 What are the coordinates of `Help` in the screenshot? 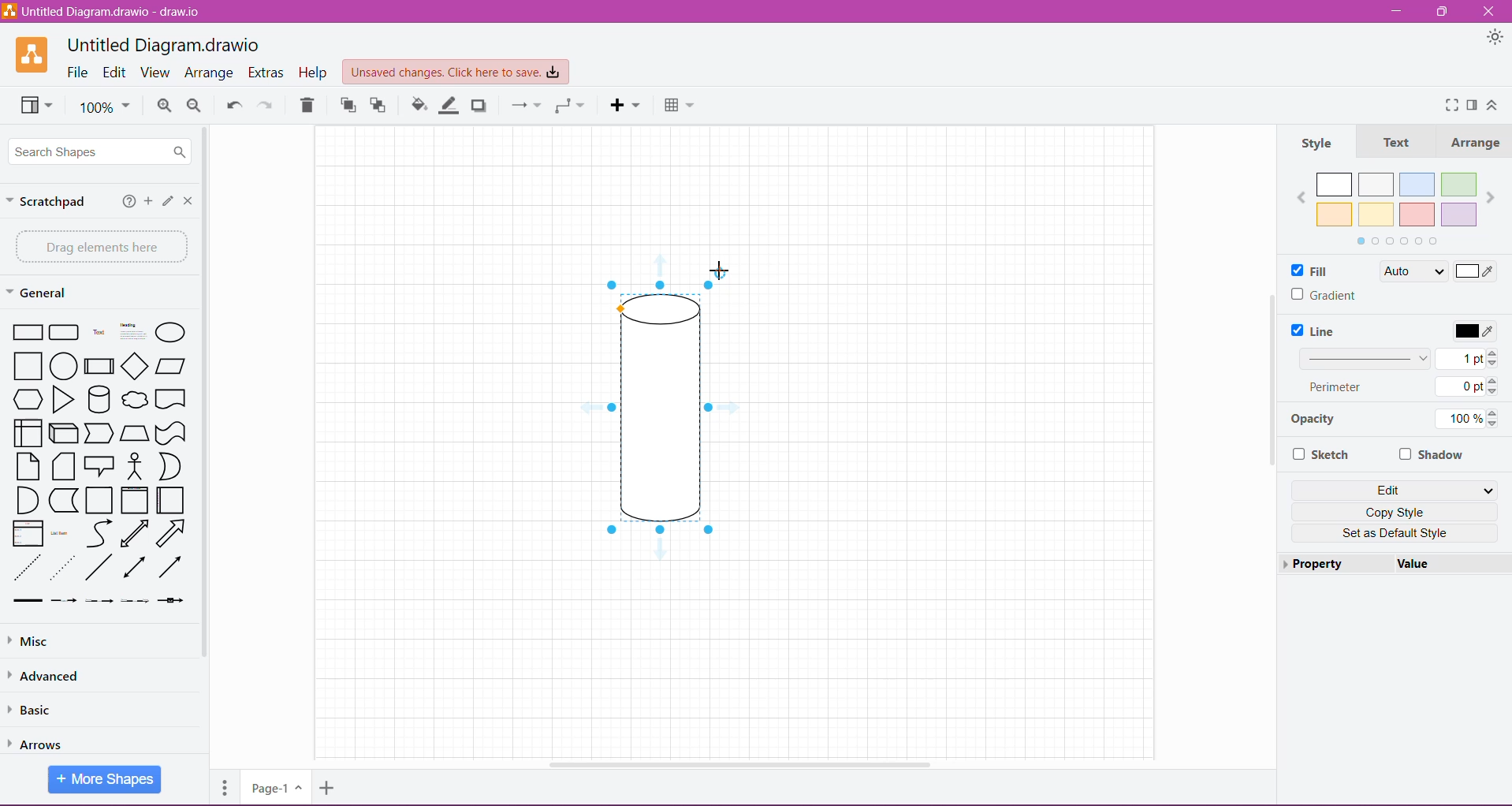 It's located at (314, 73).